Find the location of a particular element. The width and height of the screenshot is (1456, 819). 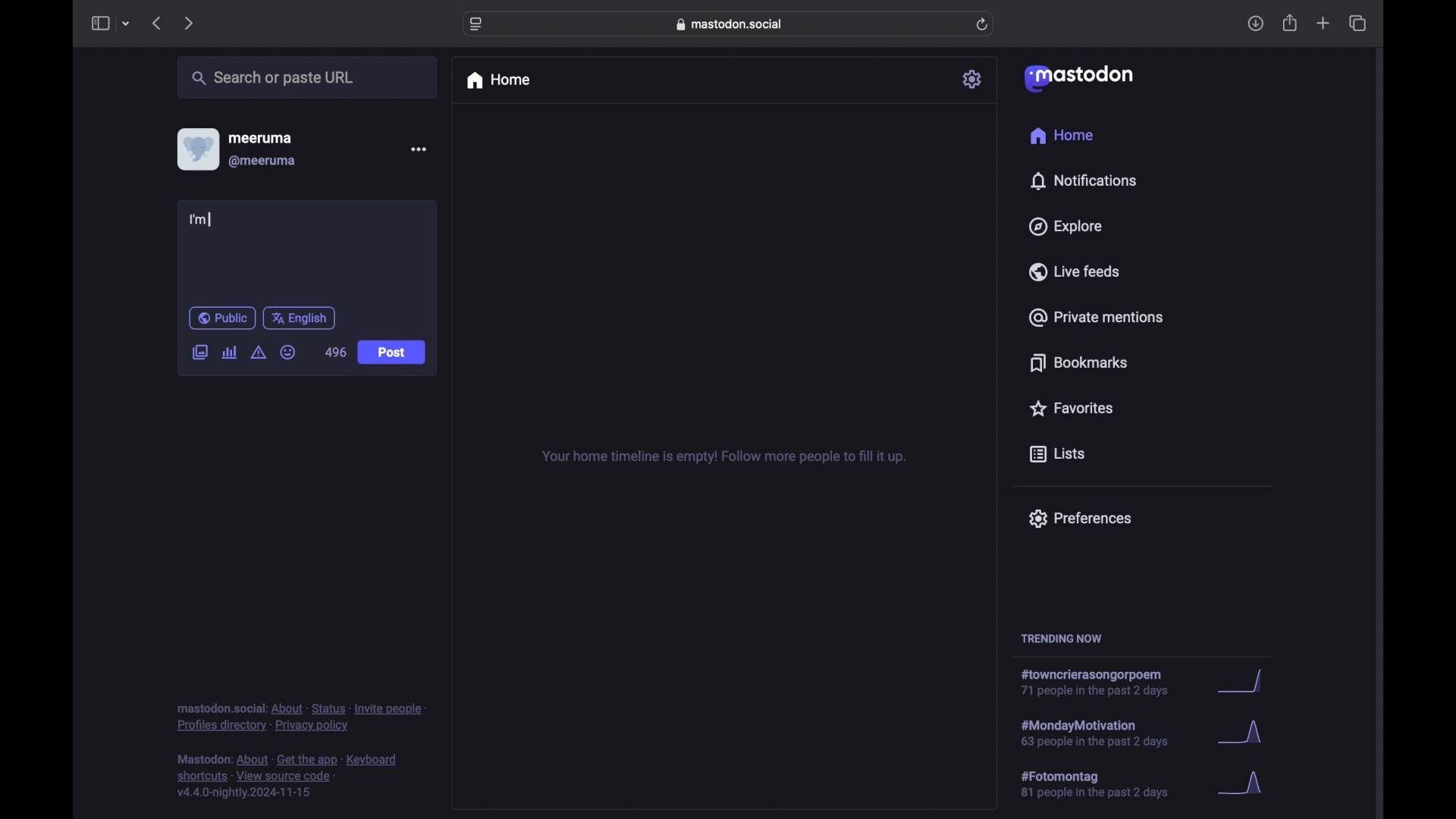

meeruma is located at coordinates (260, 138).